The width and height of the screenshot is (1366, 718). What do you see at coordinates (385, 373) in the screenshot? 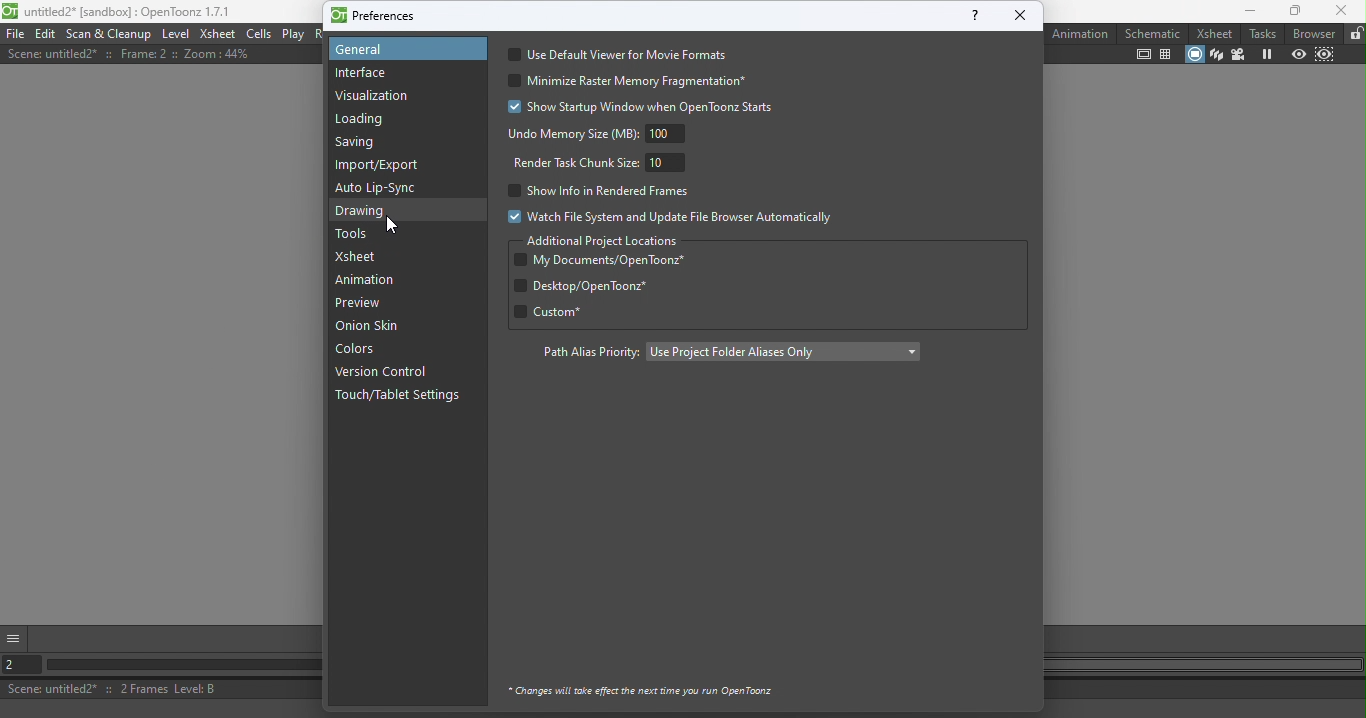
I see `Version control` at bounding box center [385, 373].